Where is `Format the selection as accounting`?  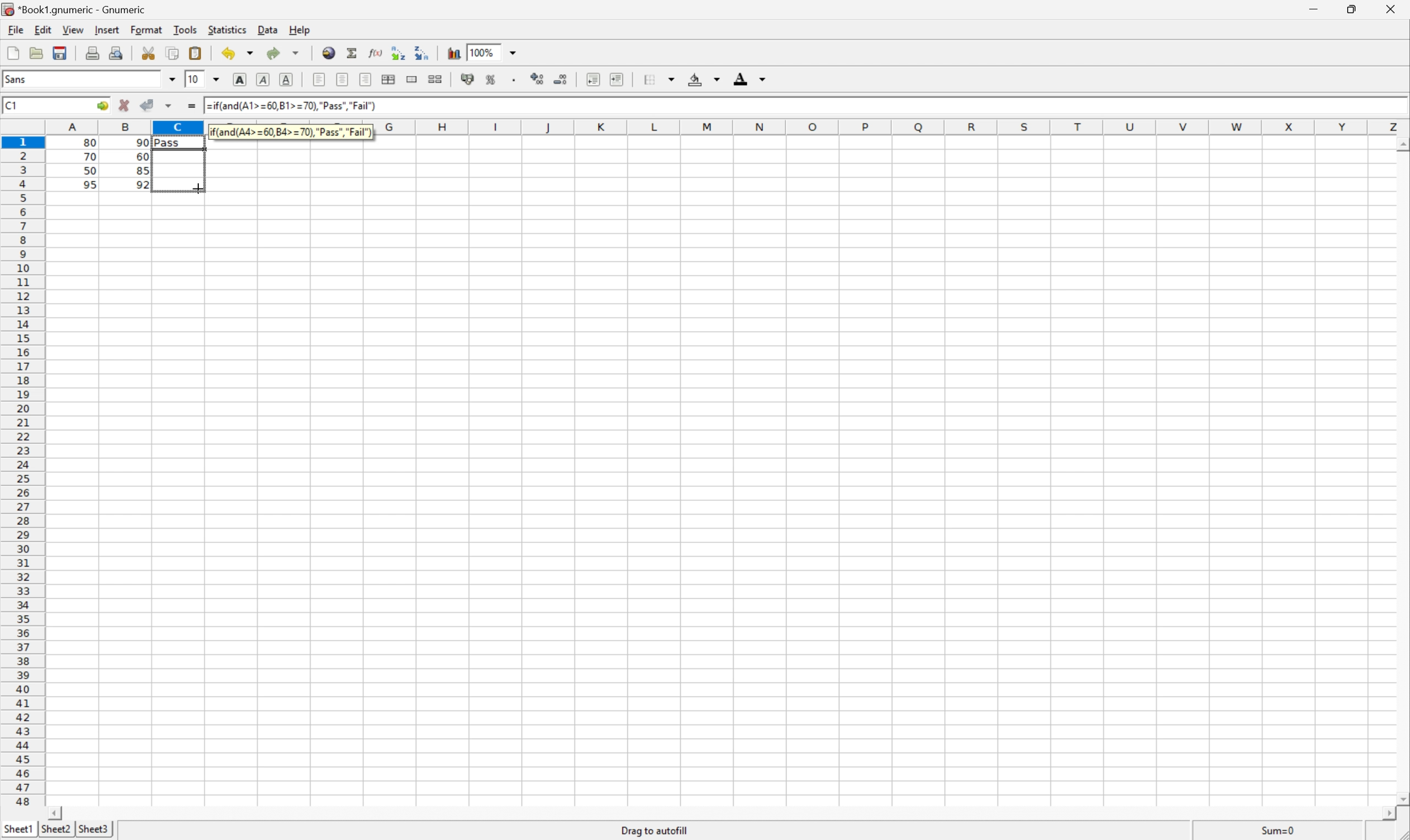 Format the selection as accounting is located at coordinates (467, 79).